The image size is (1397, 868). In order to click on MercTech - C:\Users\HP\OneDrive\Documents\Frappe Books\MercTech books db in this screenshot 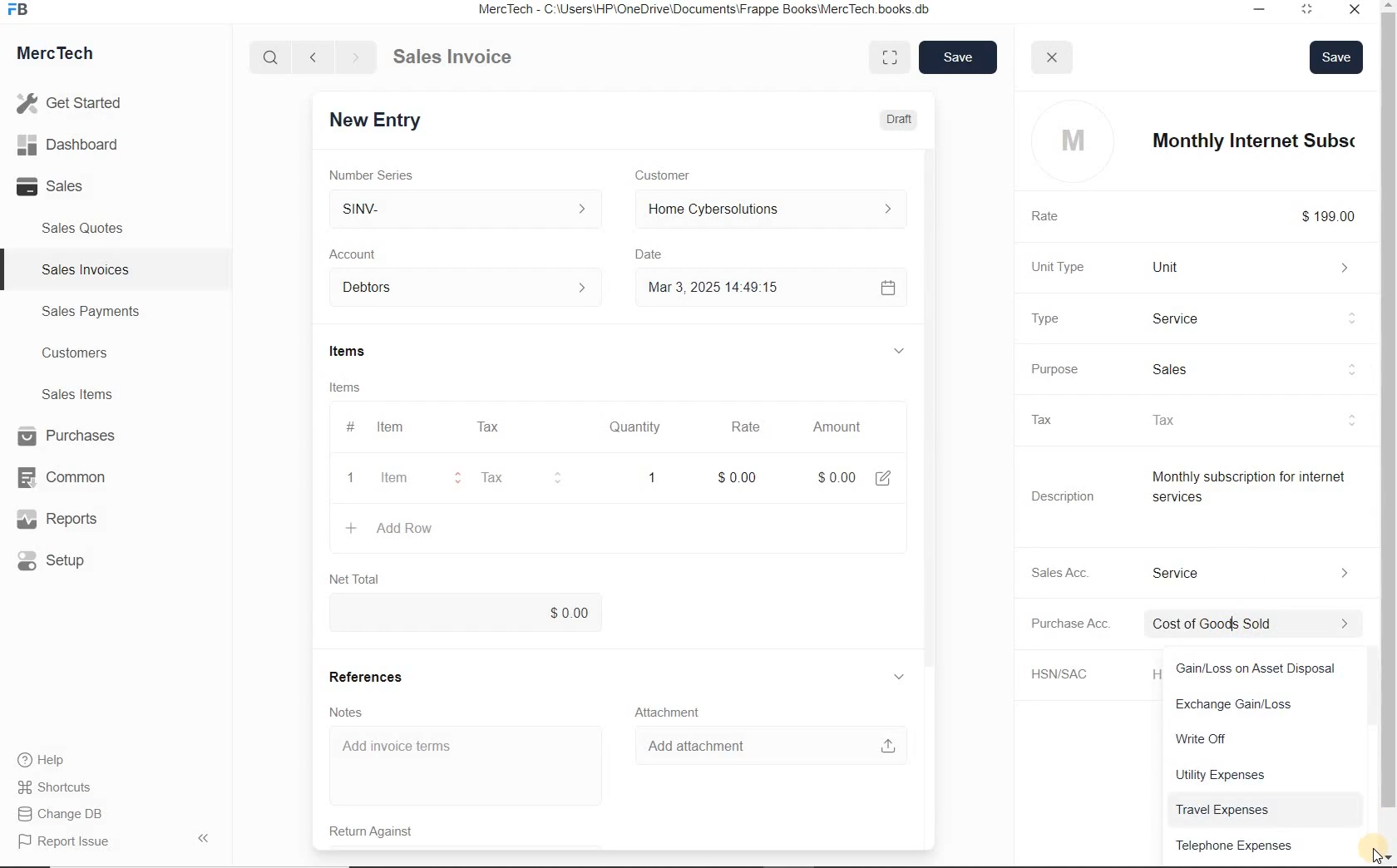, I will do `click(715, 10)`.